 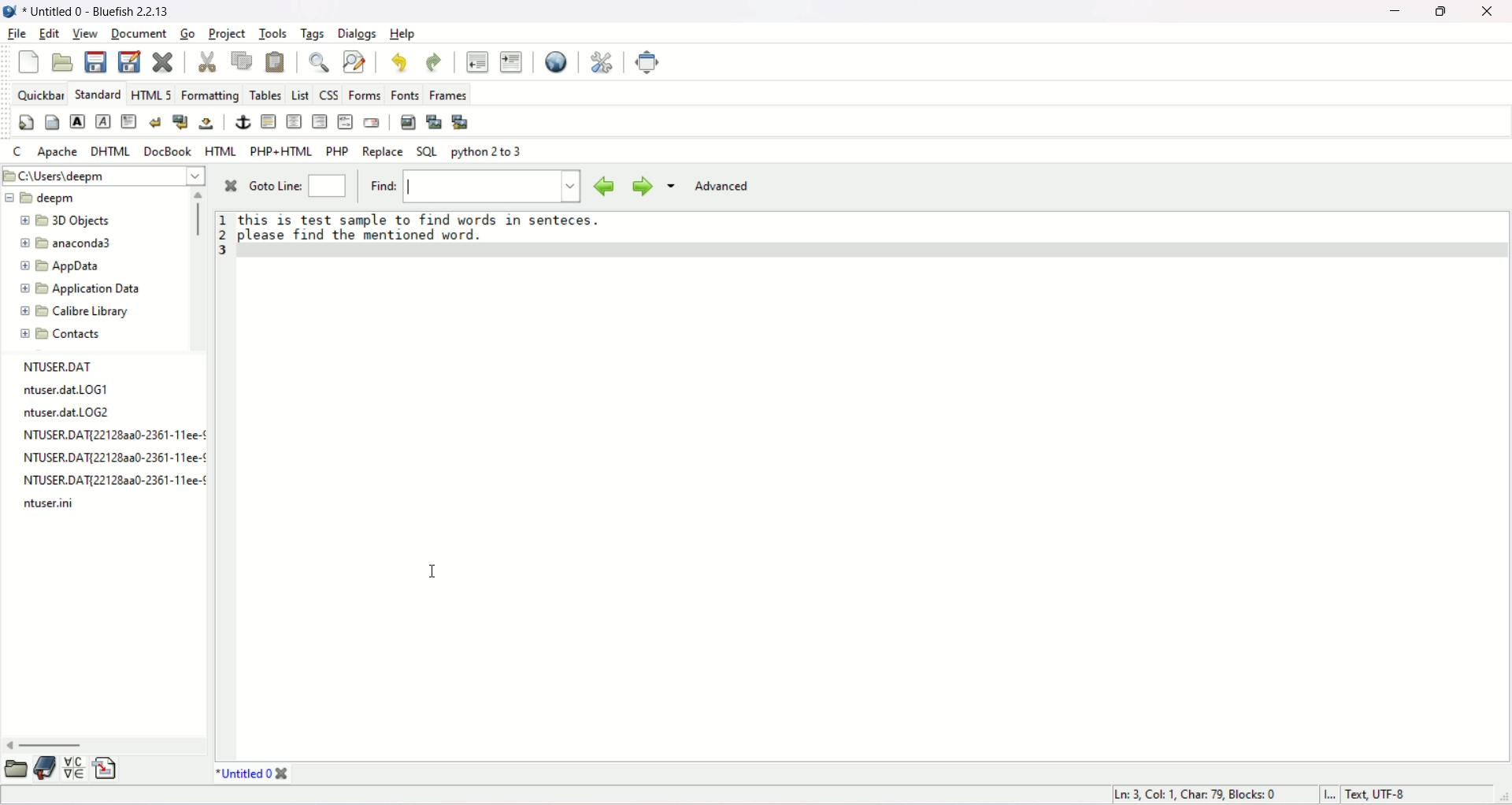 I want to click on C:\users\deepm, so click(x=103, y=176).